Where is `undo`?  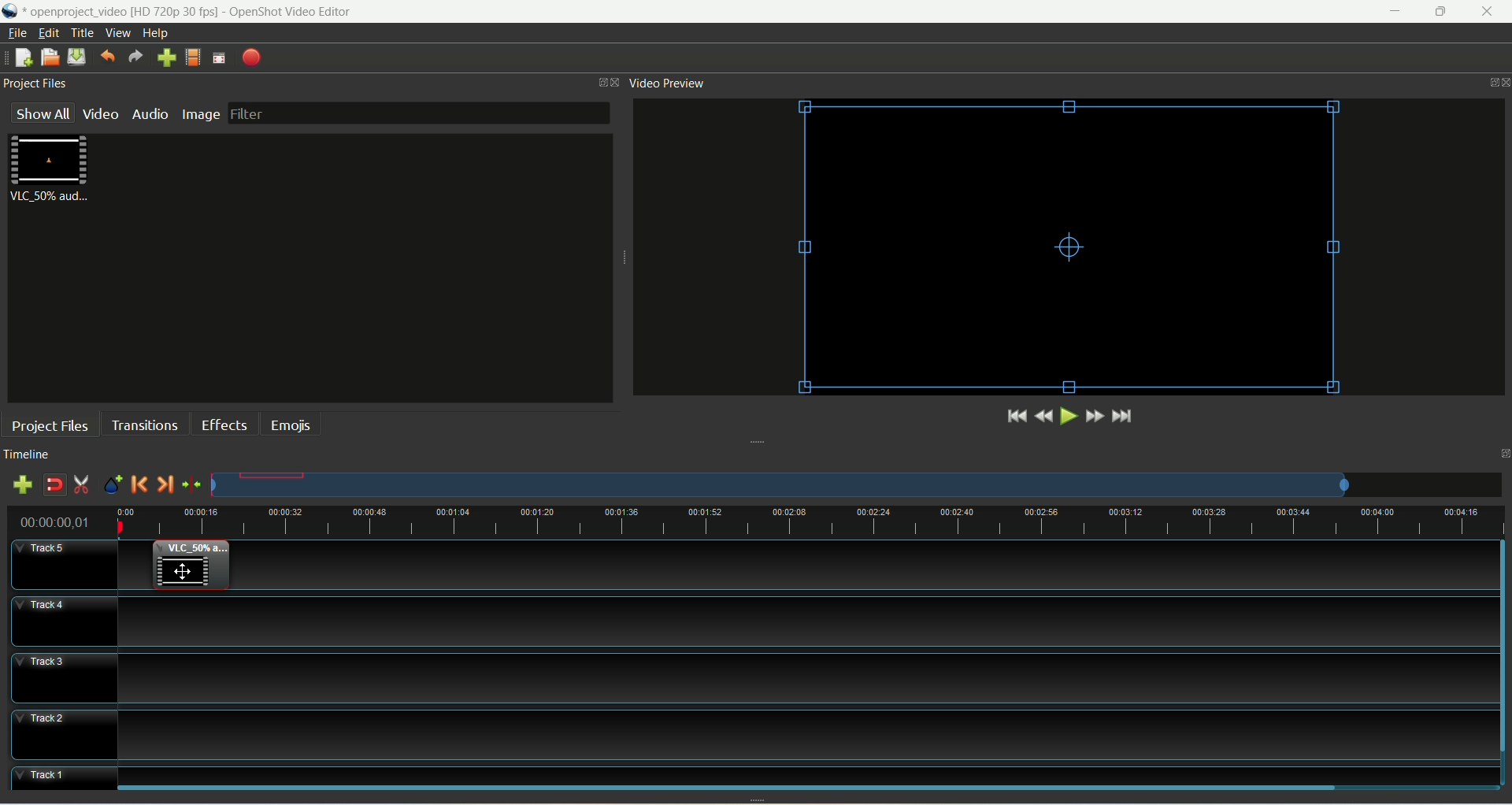 undo is located at coordinates (107, 58).